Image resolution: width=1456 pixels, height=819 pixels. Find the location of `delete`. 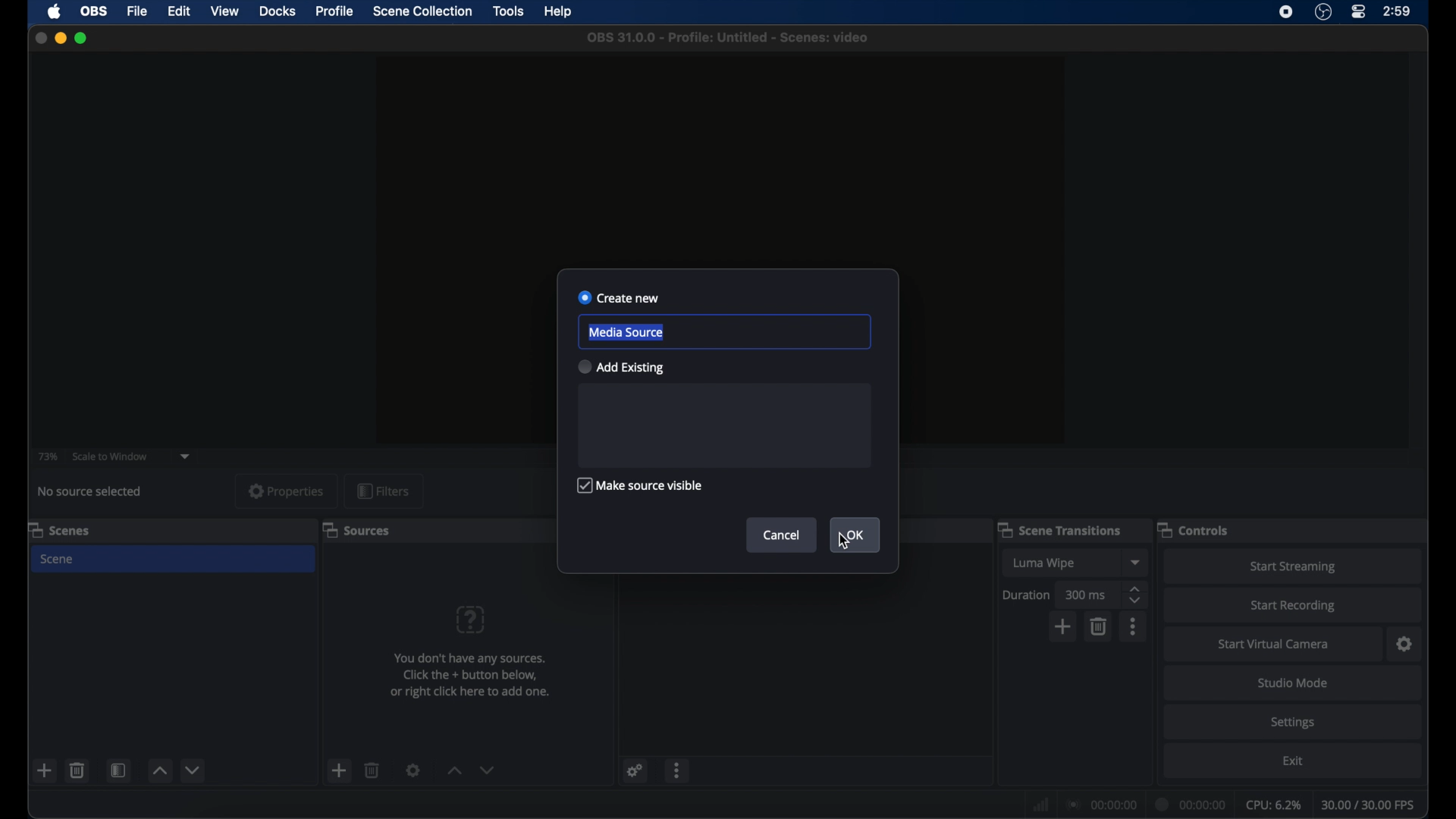

delete is located at coordinates (77, 770).